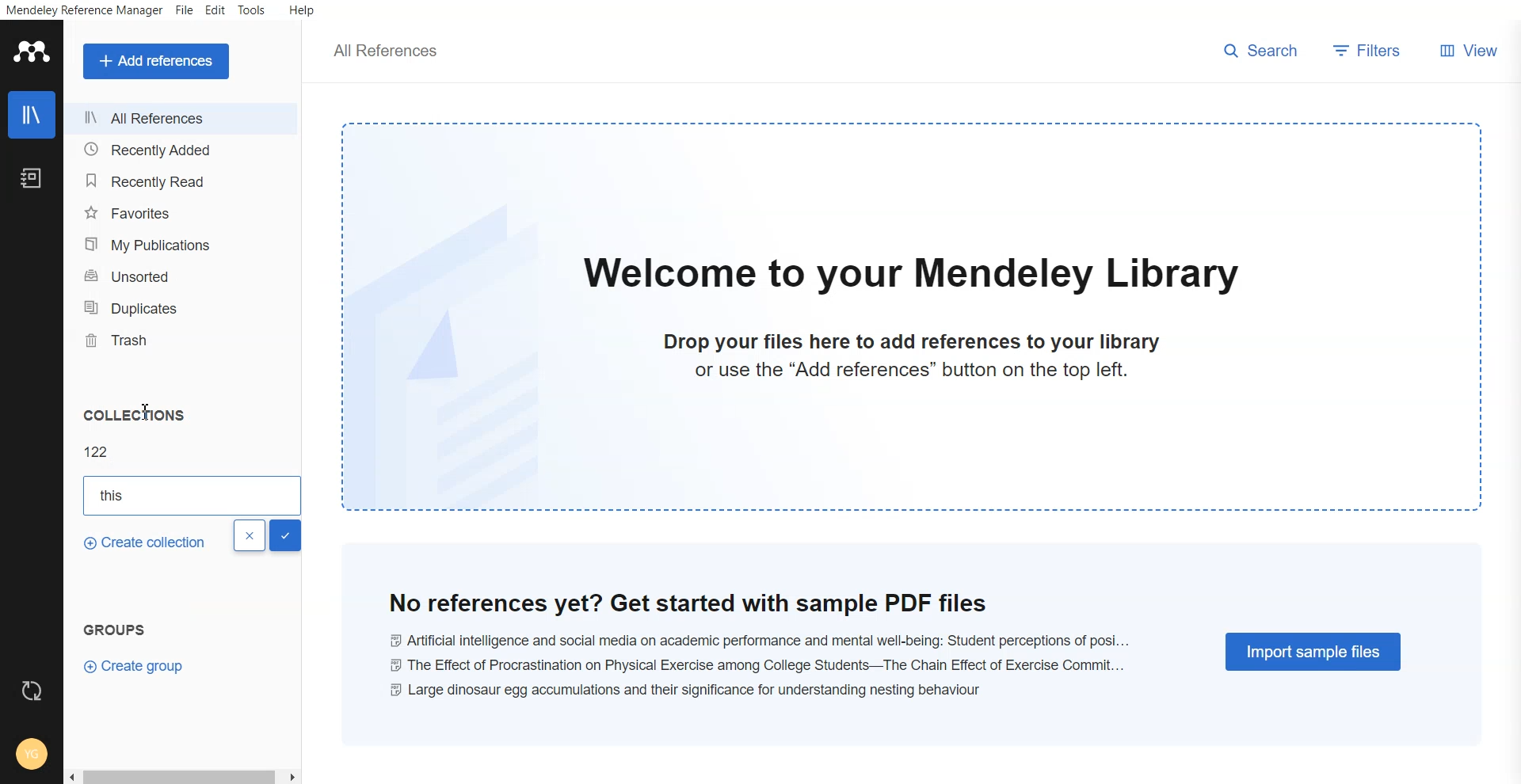 The image size is (1521, 784). I want to click on Groups, so click(124, 629).